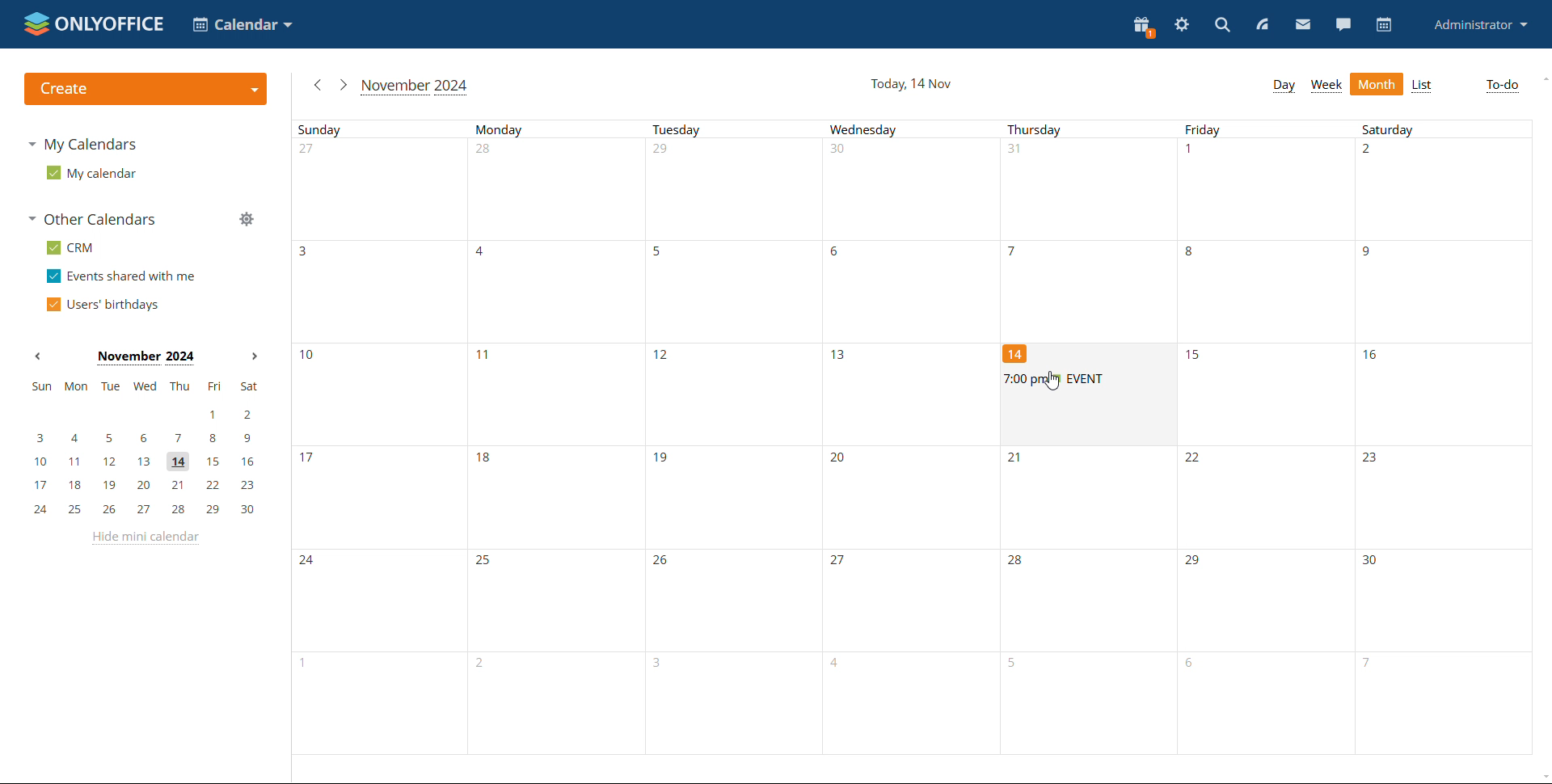 This screenshot has height=784, width=1552. I want to click on week view, so click(1326, 86).